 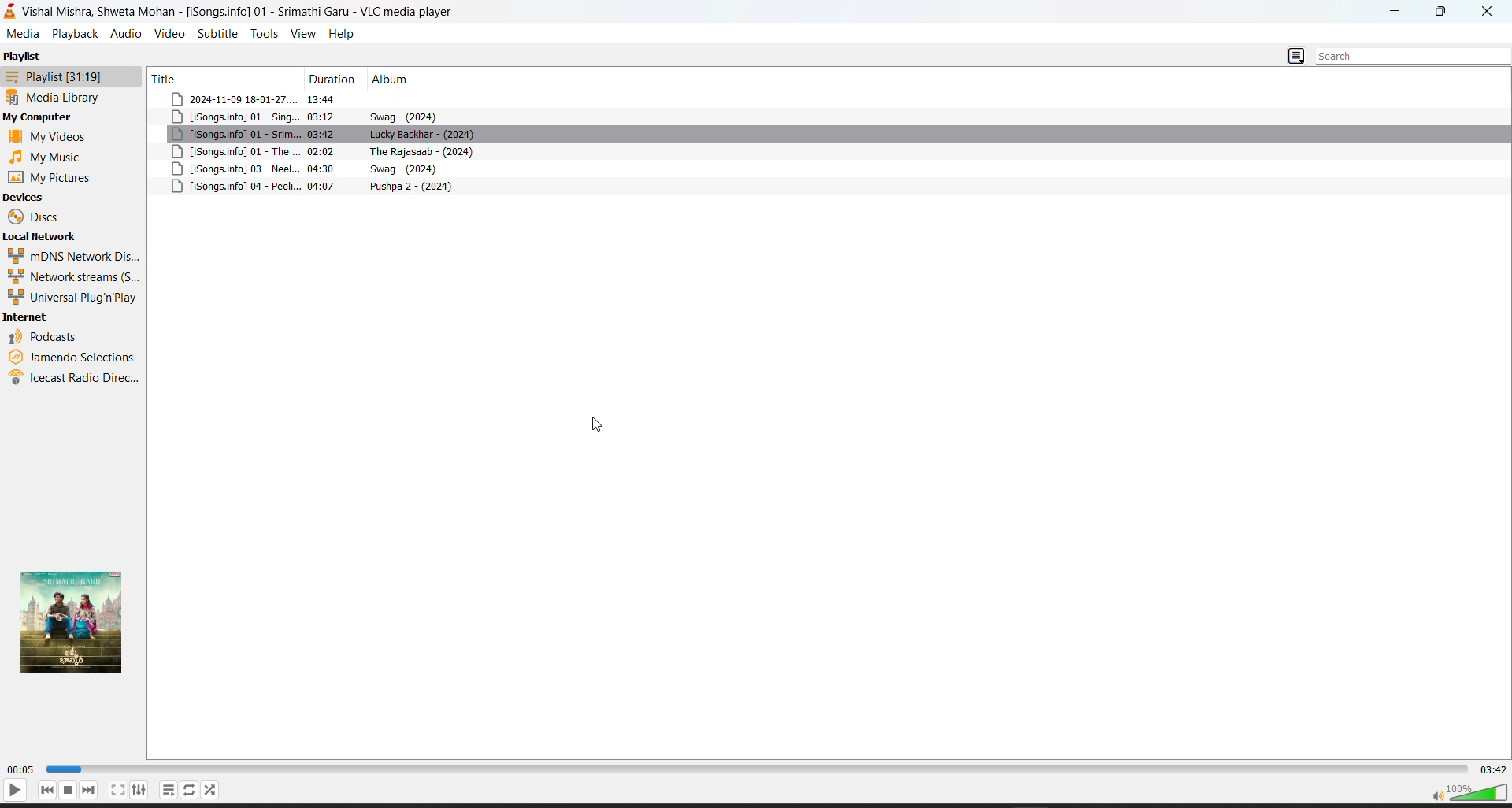 I want to click on media library, so click(x=61, y=97).